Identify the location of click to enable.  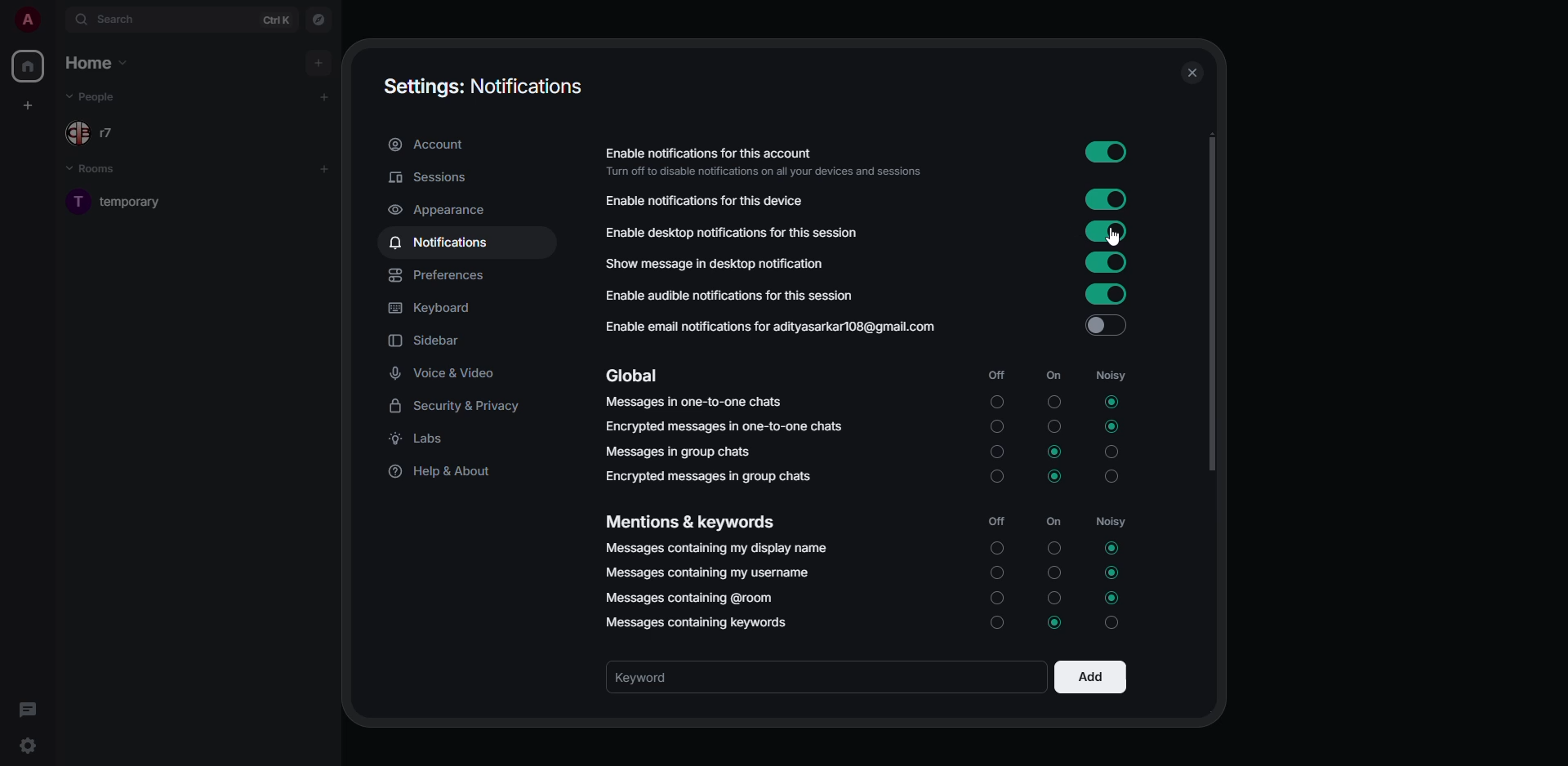
(1106, 325).